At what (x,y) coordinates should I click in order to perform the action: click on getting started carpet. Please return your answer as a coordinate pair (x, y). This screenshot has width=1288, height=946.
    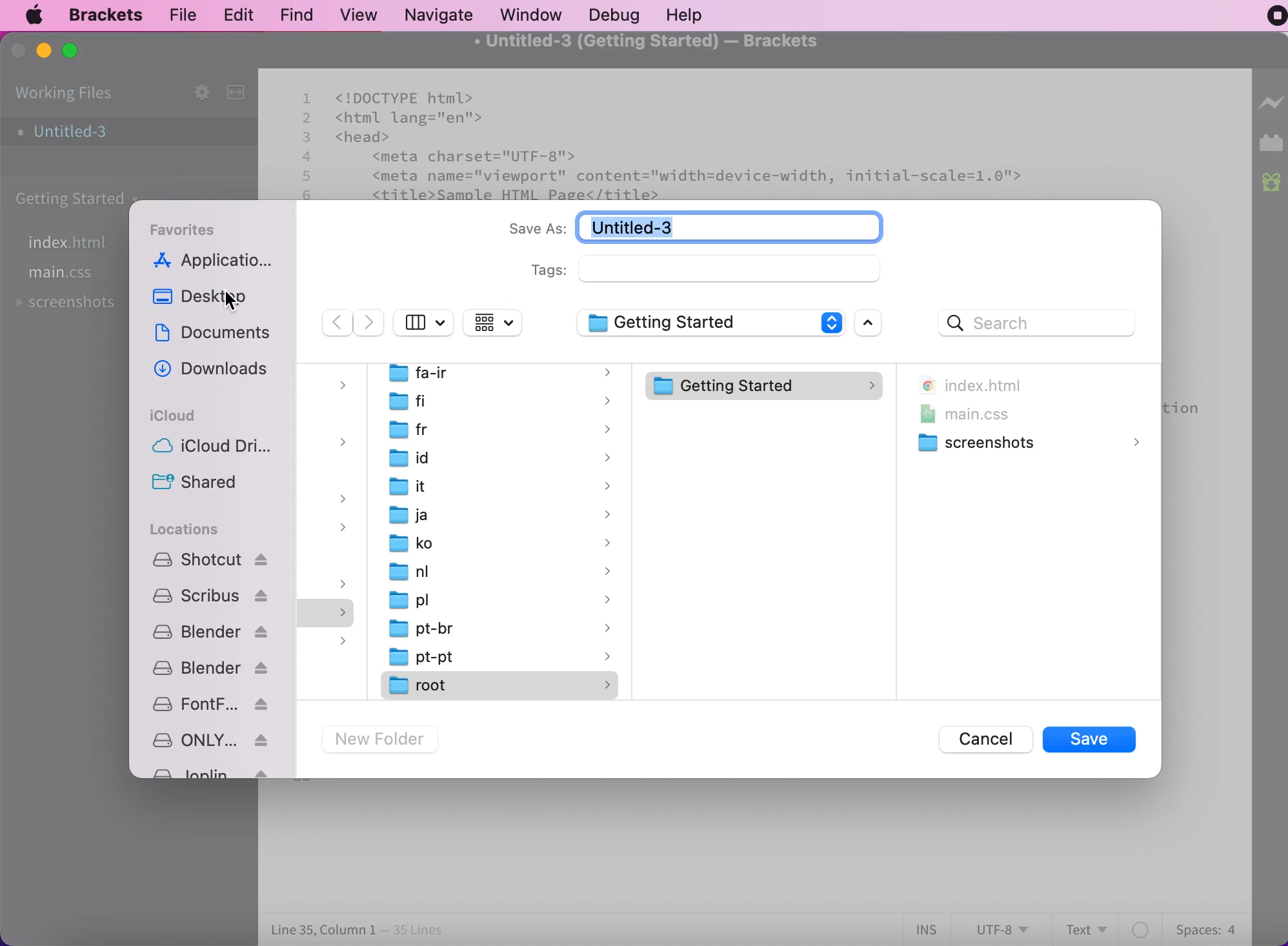
    Looking at the image, I should click on (72, 201).